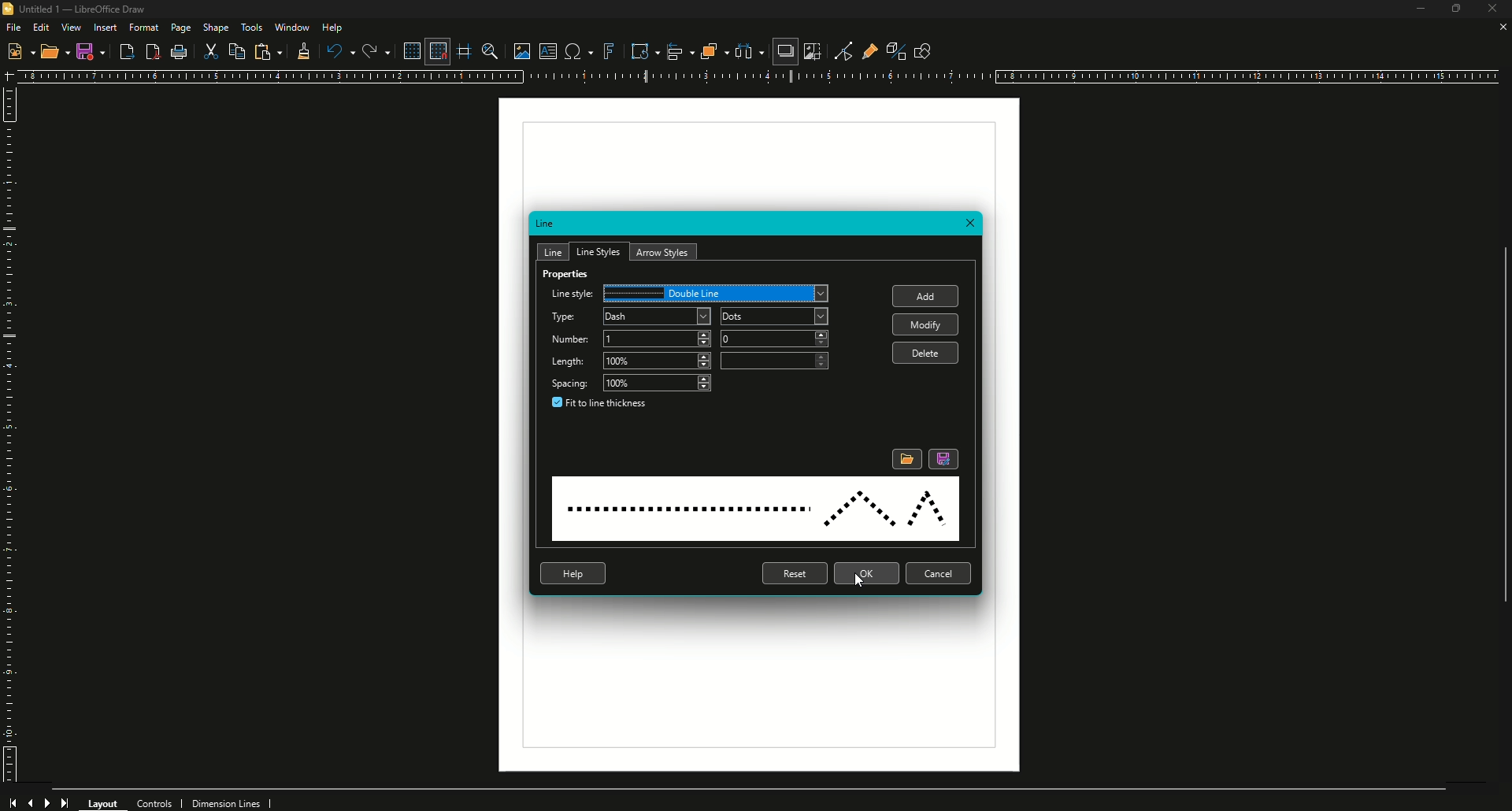 The height and width of the screenshot is (811, 1512). What do you see at coordinates (861, 584) in the screenshot?
I see `Cursor` at bounding box center [861, 584].